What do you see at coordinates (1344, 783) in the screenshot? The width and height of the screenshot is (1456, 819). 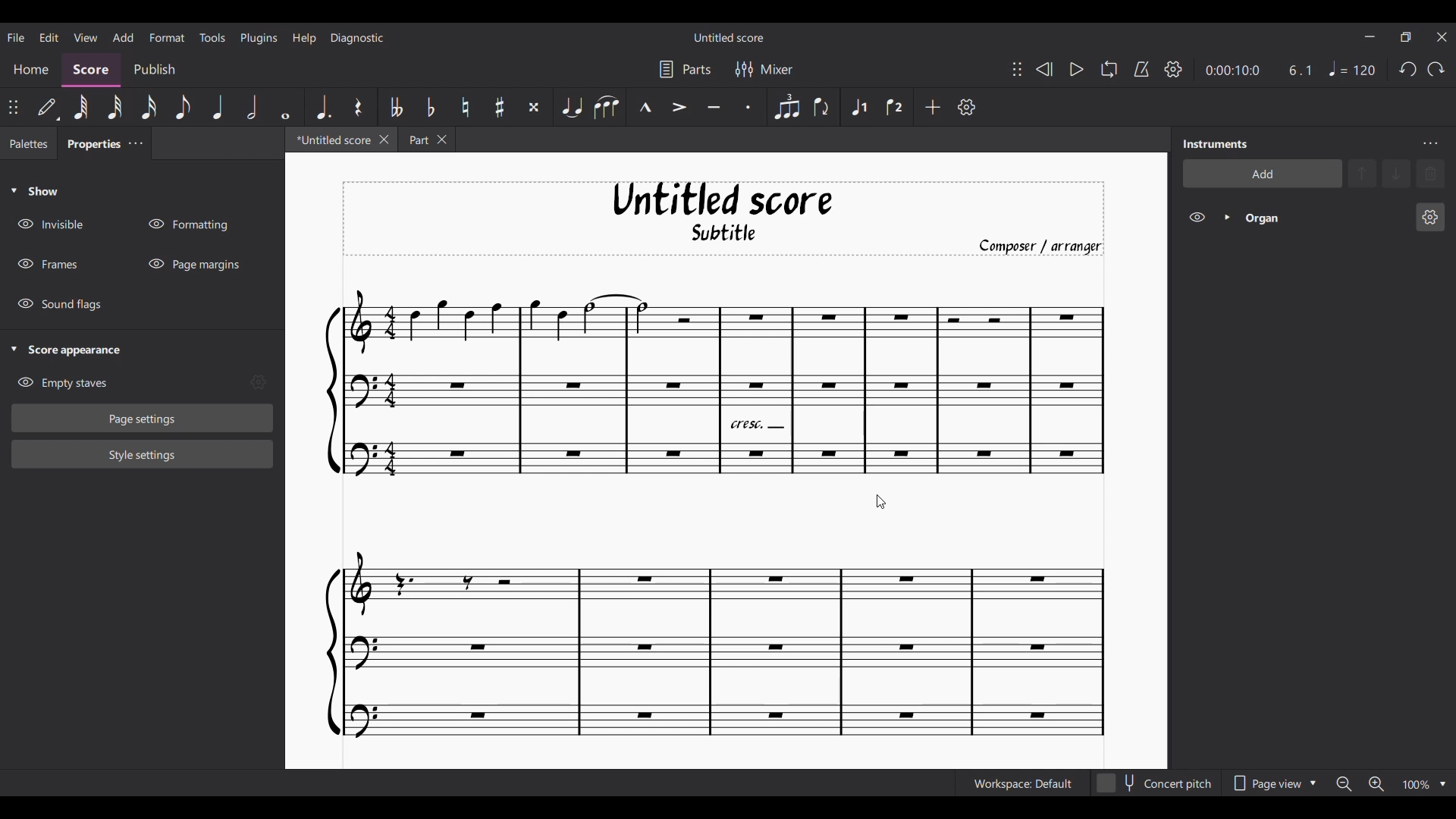 I see `Zoom out` at bounding box center [1344, 783].